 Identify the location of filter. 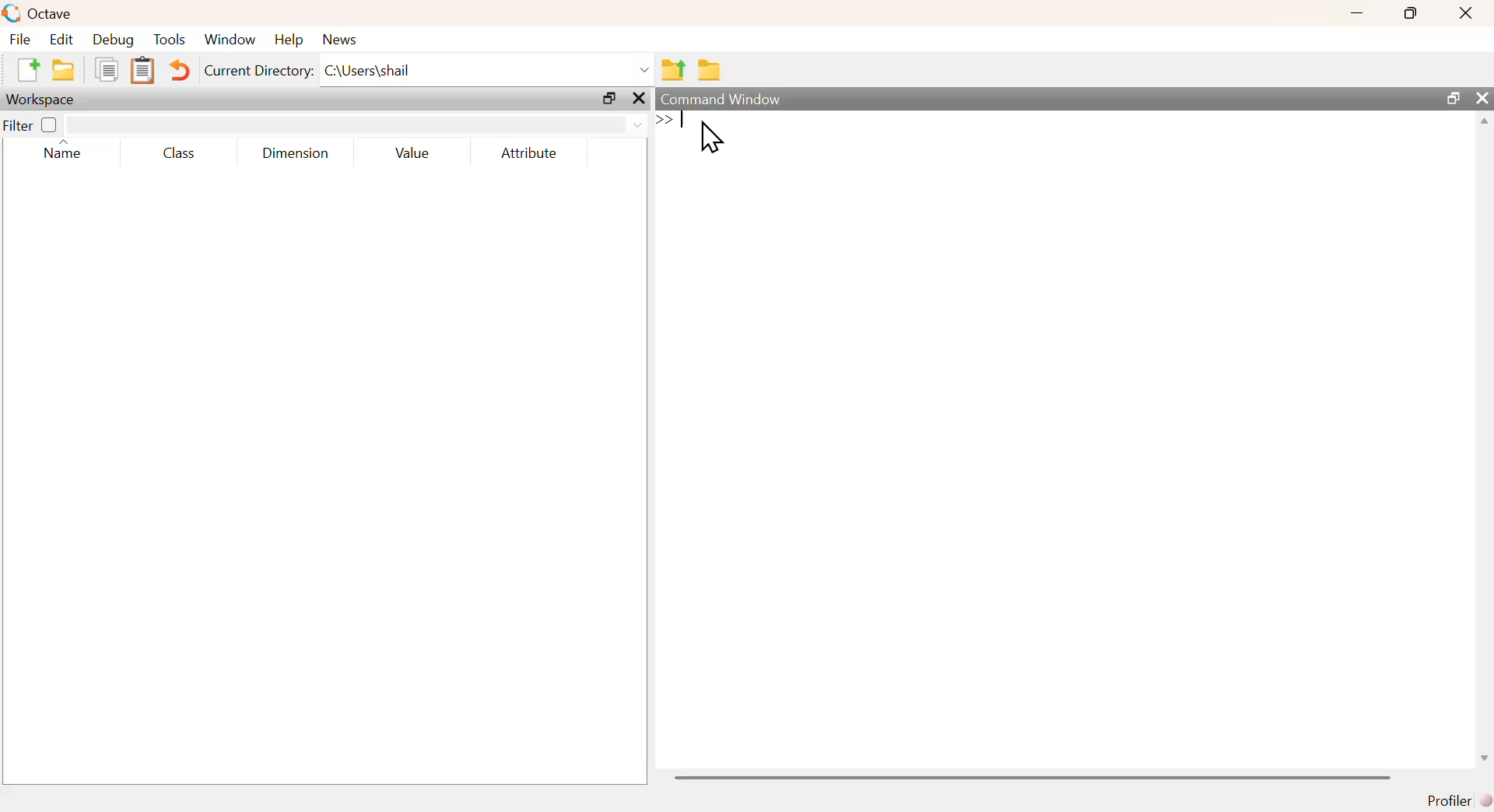
(17, 126).